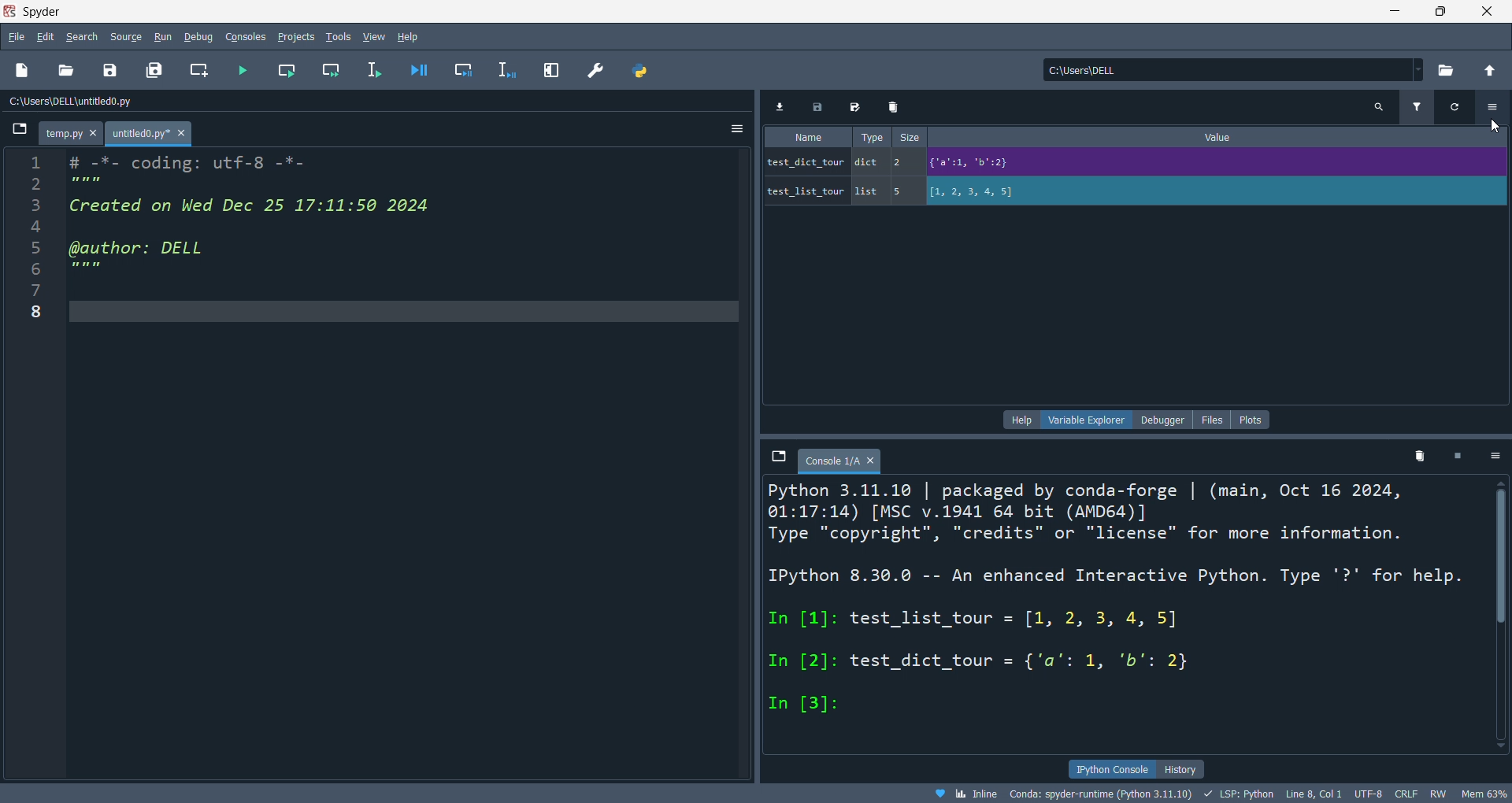  Describe the element at coordinates (1443, 792) in the screenshot. I see `RW` at that location.